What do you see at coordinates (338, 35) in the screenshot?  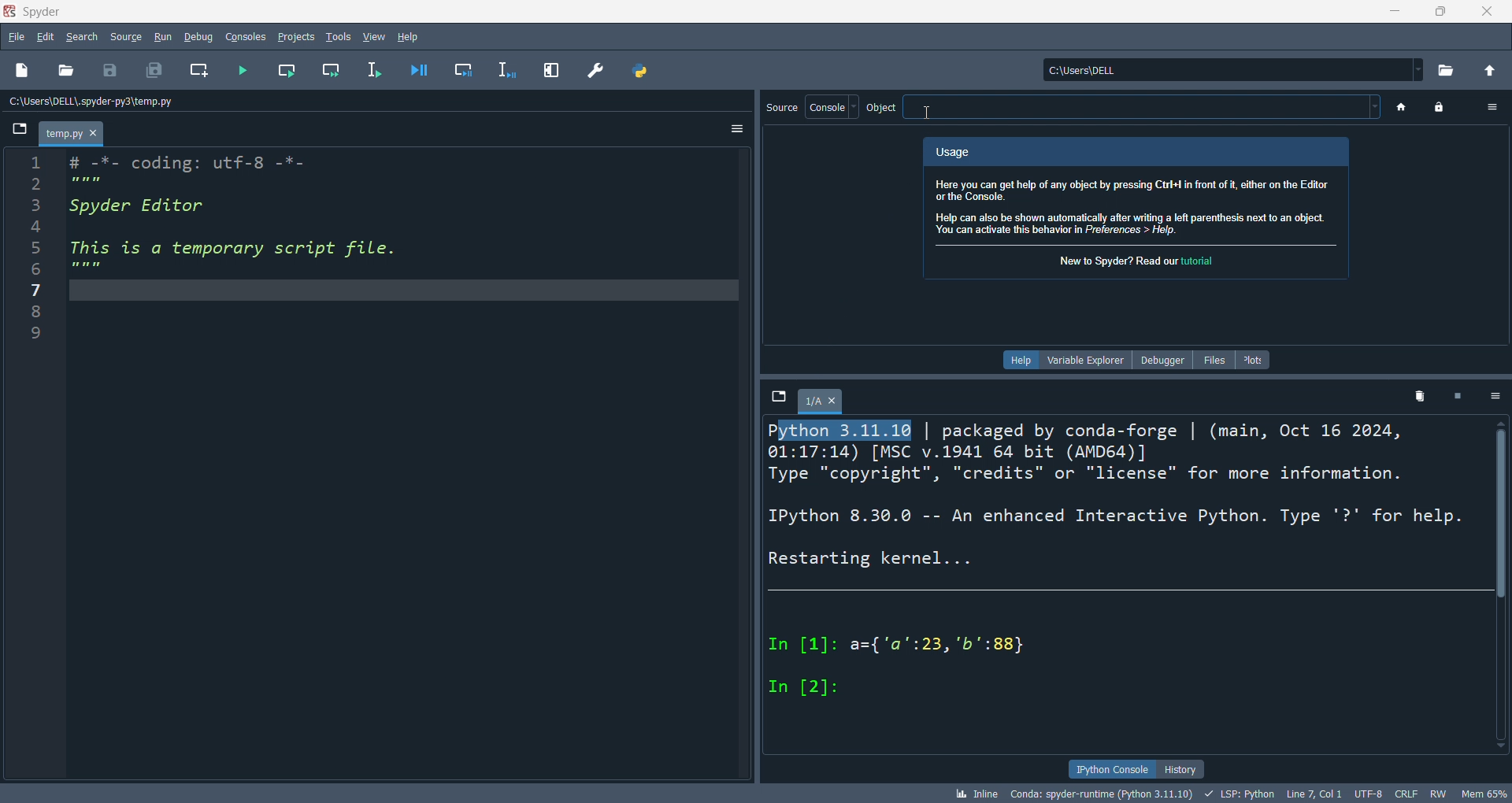 I see `tools` at bounding box center [338, 35].